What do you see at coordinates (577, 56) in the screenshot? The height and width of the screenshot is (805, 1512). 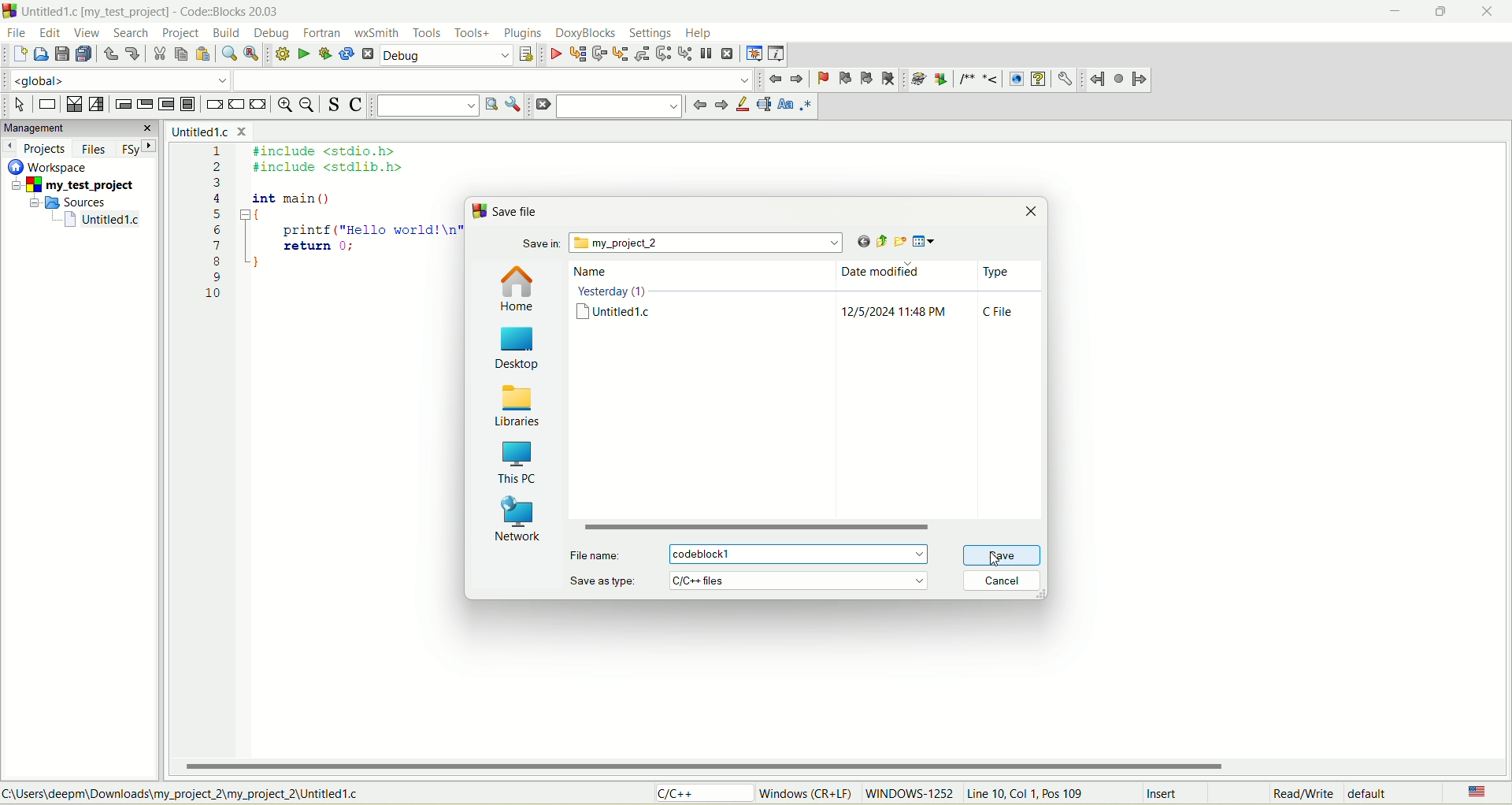 I see `run to cursor` at bounding box center [577, 56].